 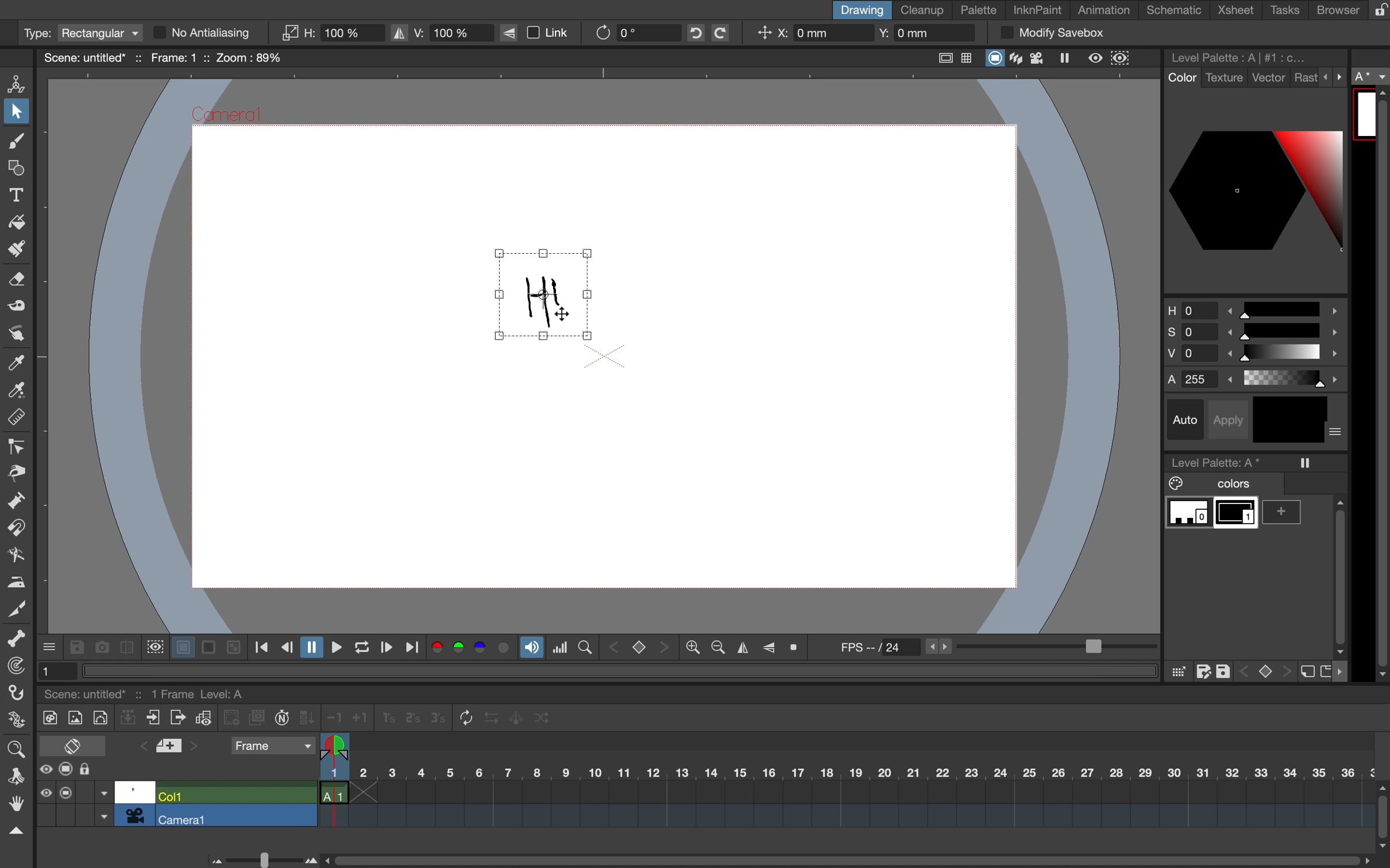 I want to click on preview visibility toggle all, so click(x=45, y=769).